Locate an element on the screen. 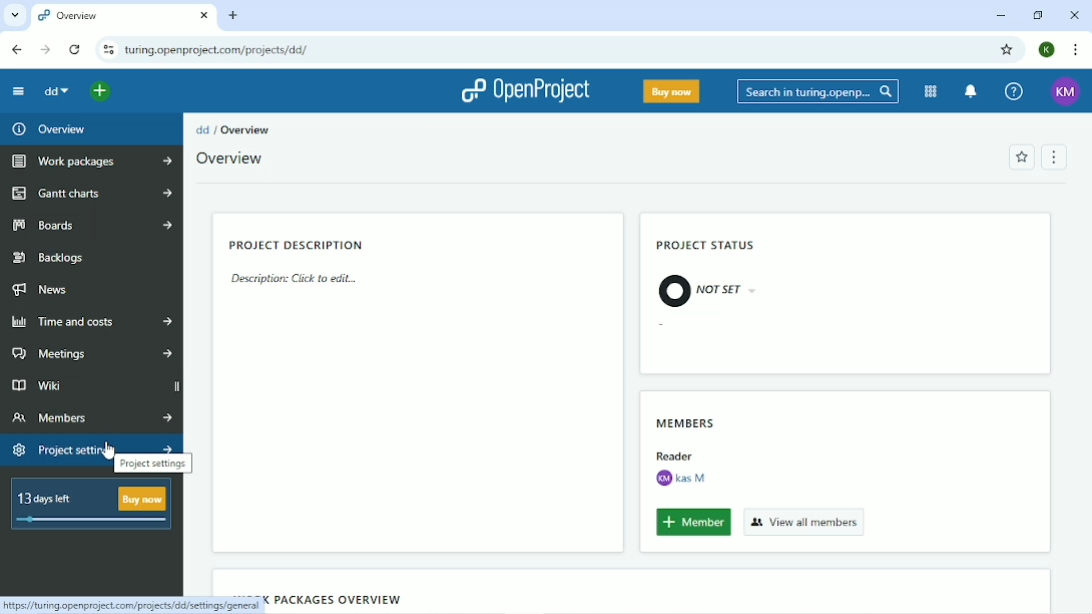  dd is located at coordinates (203, 130).